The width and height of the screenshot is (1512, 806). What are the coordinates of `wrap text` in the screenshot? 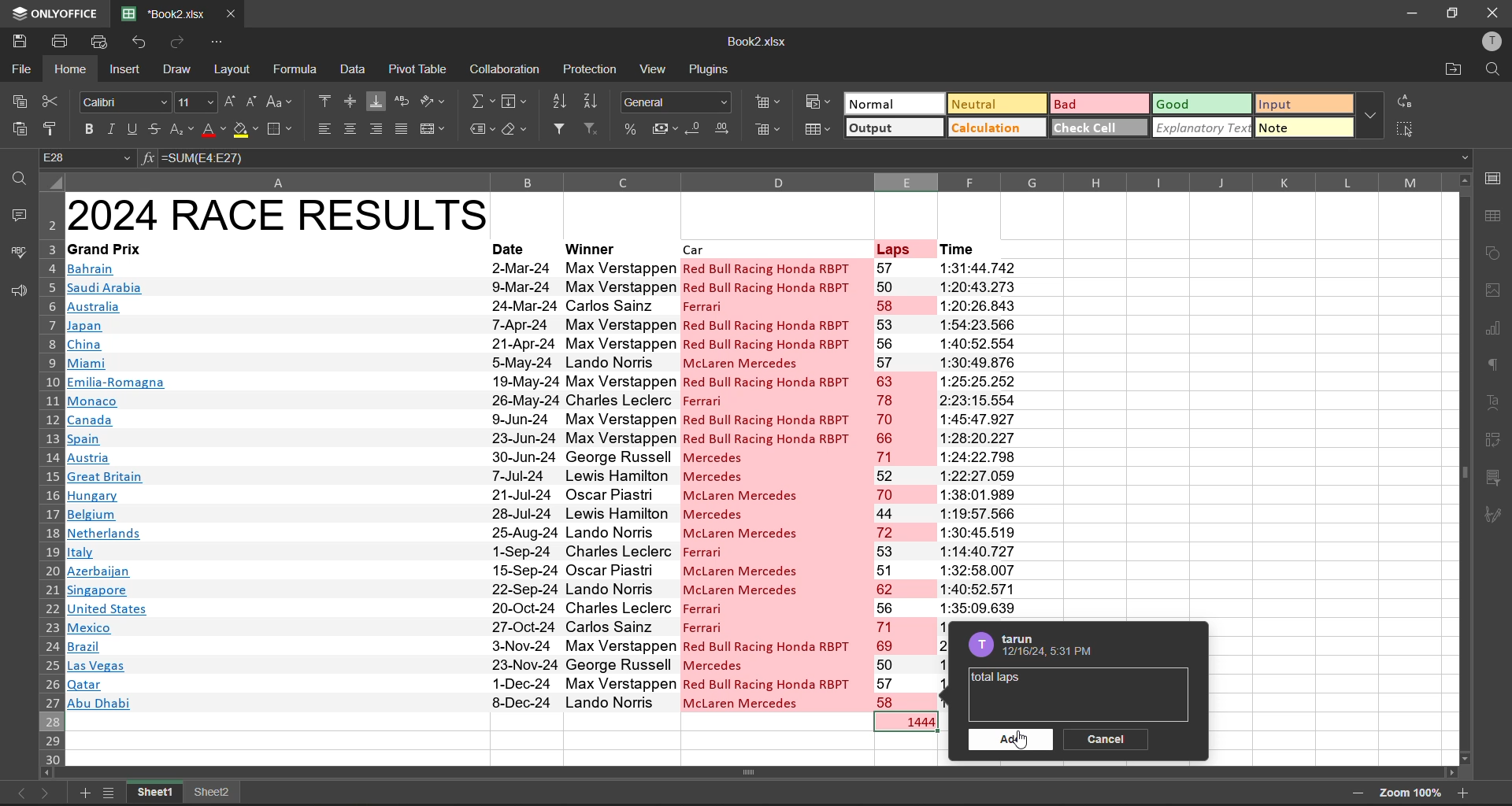 It's located at (406, 100).